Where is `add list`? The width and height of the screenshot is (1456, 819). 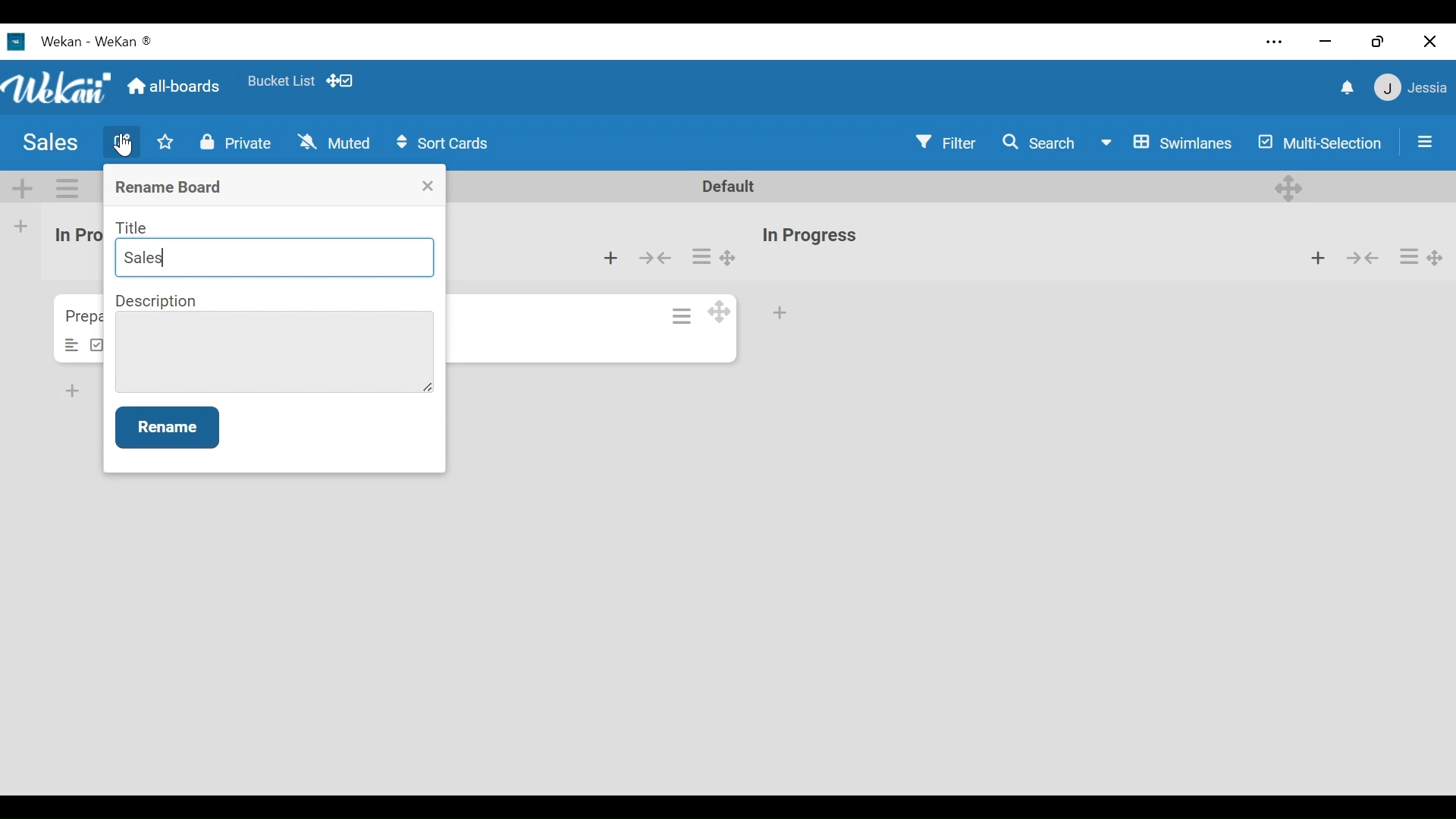
add list is located at coordinates (30, 226).